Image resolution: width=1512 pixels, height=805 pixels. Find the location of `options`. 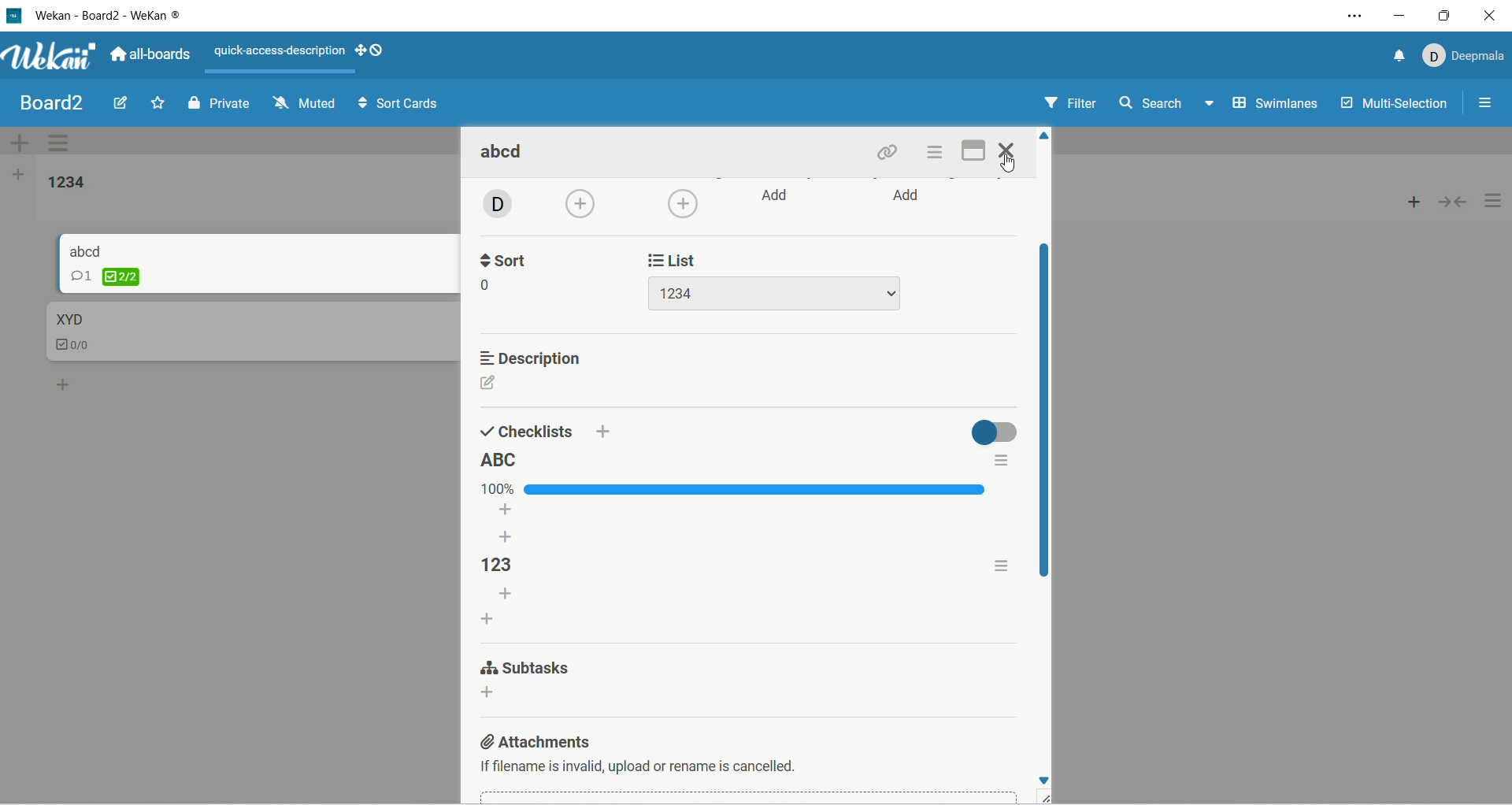

options is located at coordinates (1490, 101).